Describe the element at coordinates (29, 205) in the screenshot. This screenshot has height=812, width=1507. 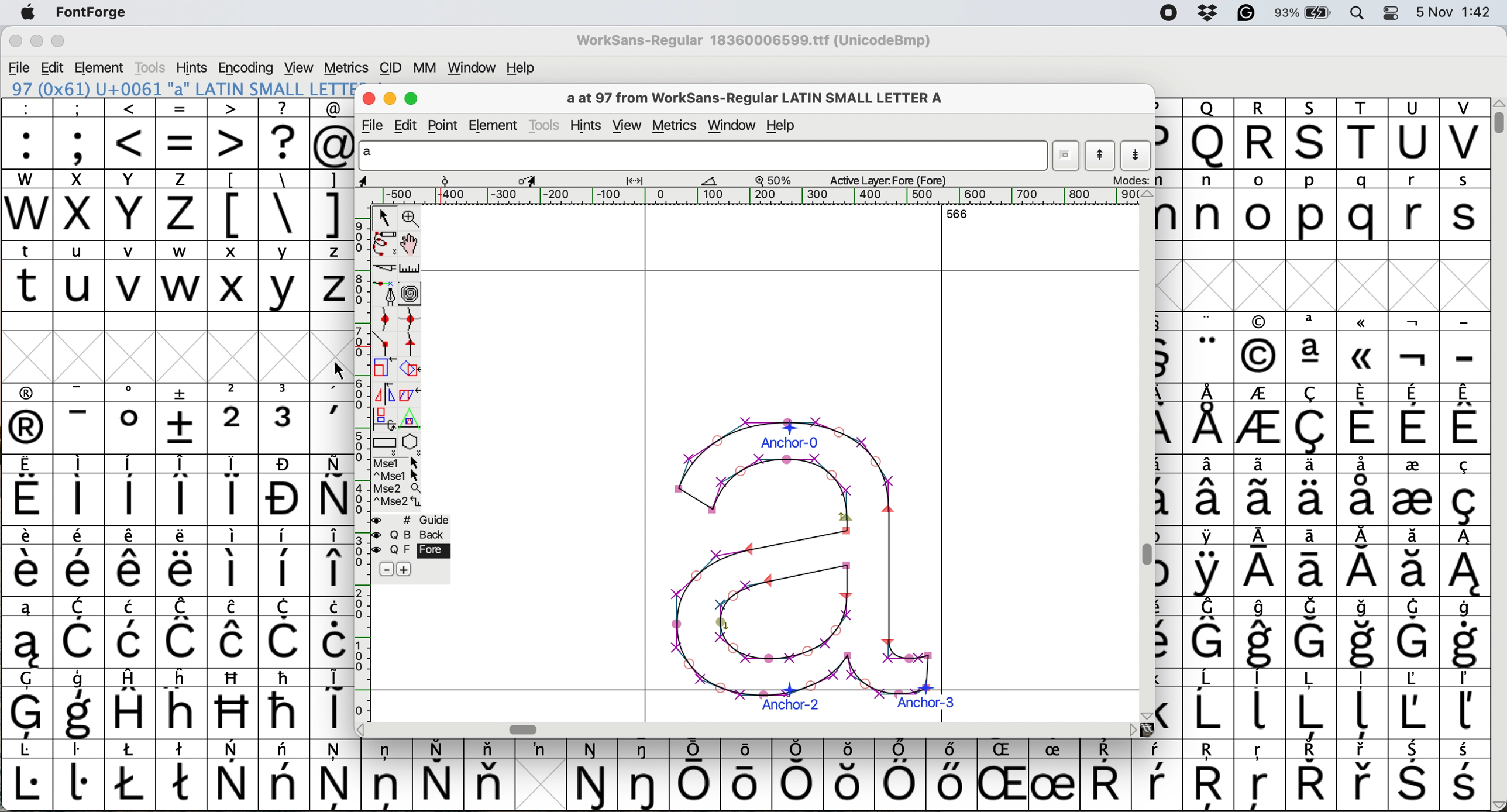
I see `W` at that location.